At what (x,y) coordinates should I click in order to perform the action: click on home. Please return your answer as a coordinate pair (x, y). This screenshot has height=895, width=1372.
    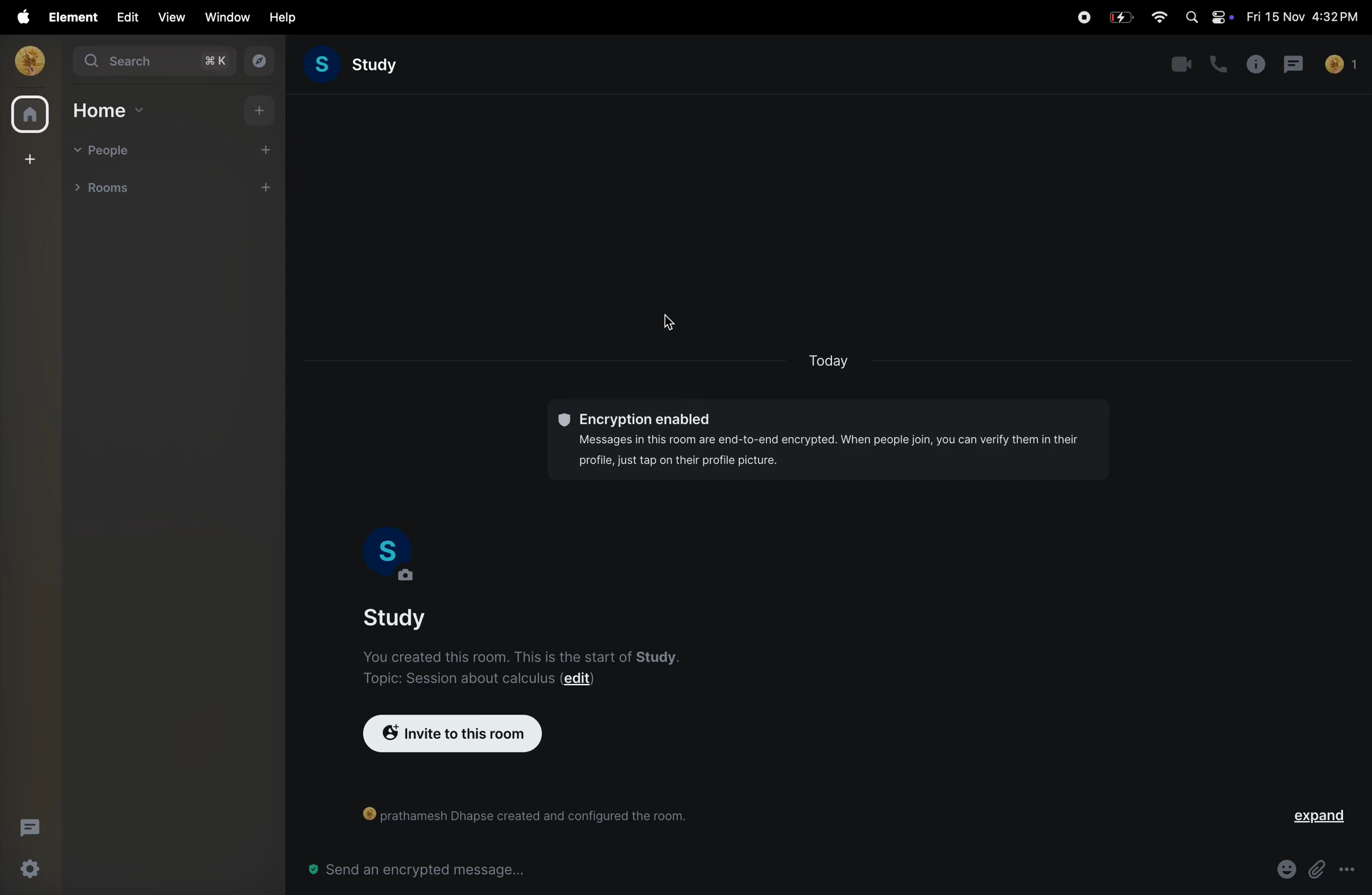
    Looking at the image, I should click on (27, 114).